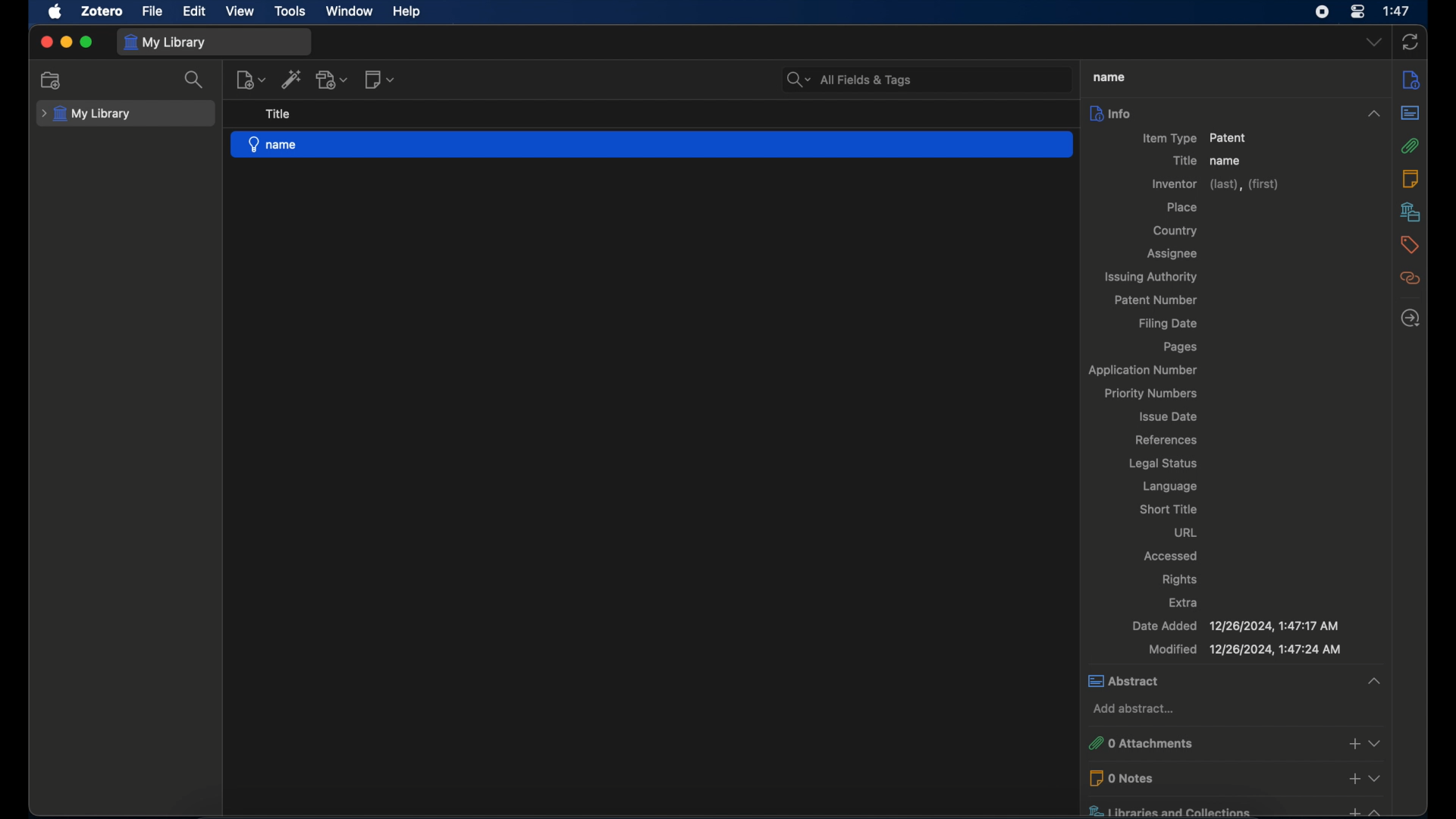  What do you see at coordinates (1186, 808) in the screenshot?
I see `libraries and collections` at bounding box center [1186, 808].